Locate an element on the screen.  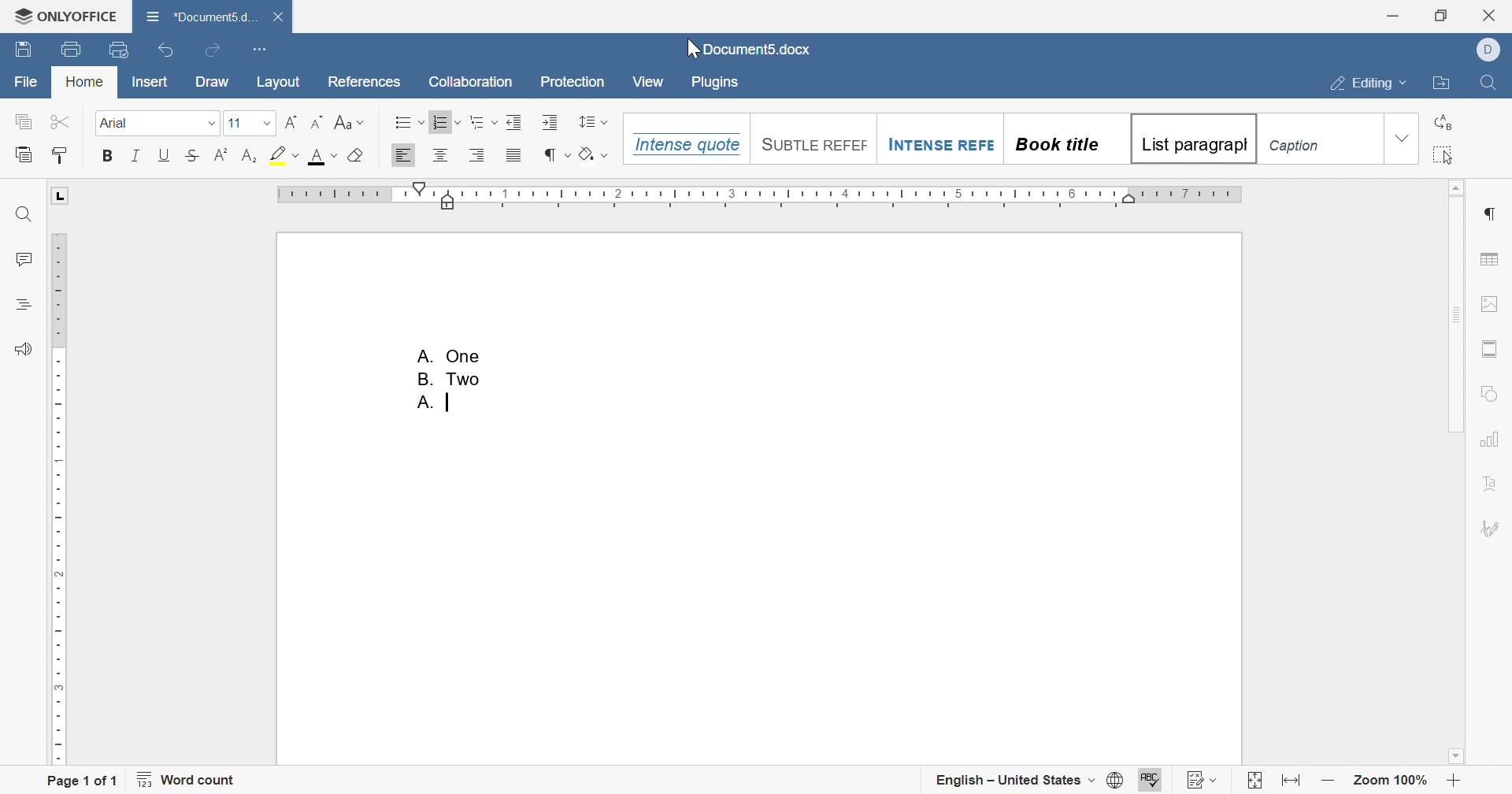
references is located at coordinates (368, 83).